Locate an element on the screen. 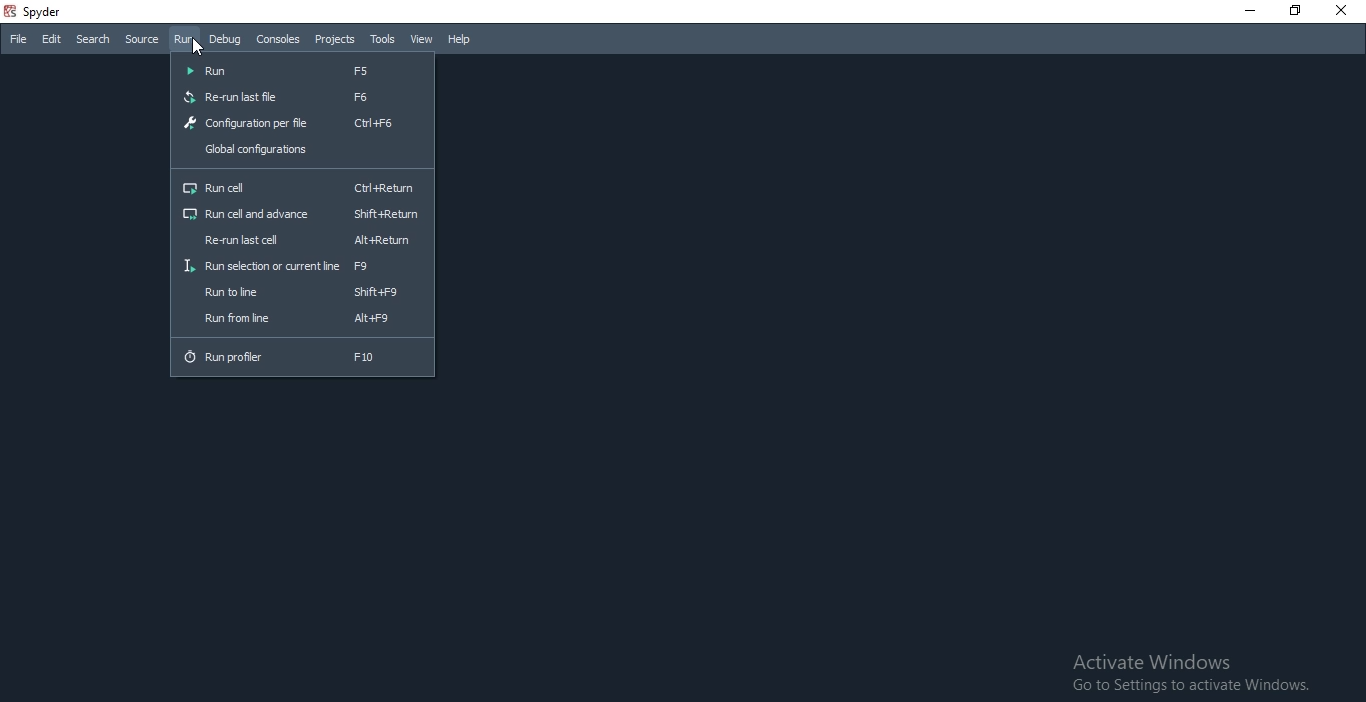 Image resolution: width=1366 pixels, height=702 pixels. run to line is located at coordinates (302, 291).